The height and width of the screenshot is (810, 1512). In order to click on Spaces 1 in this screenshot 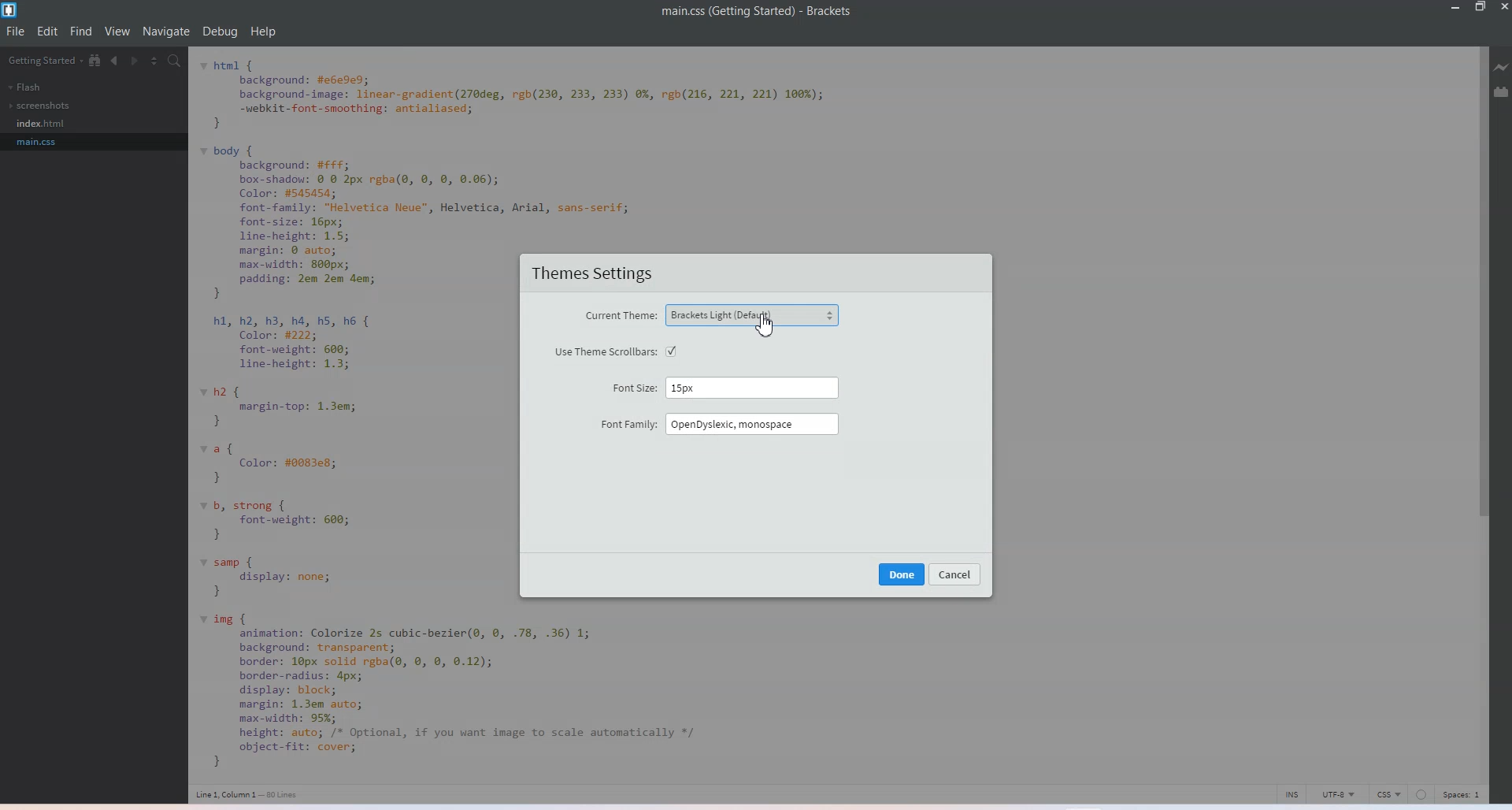, I will do `click(1464, 794)`.